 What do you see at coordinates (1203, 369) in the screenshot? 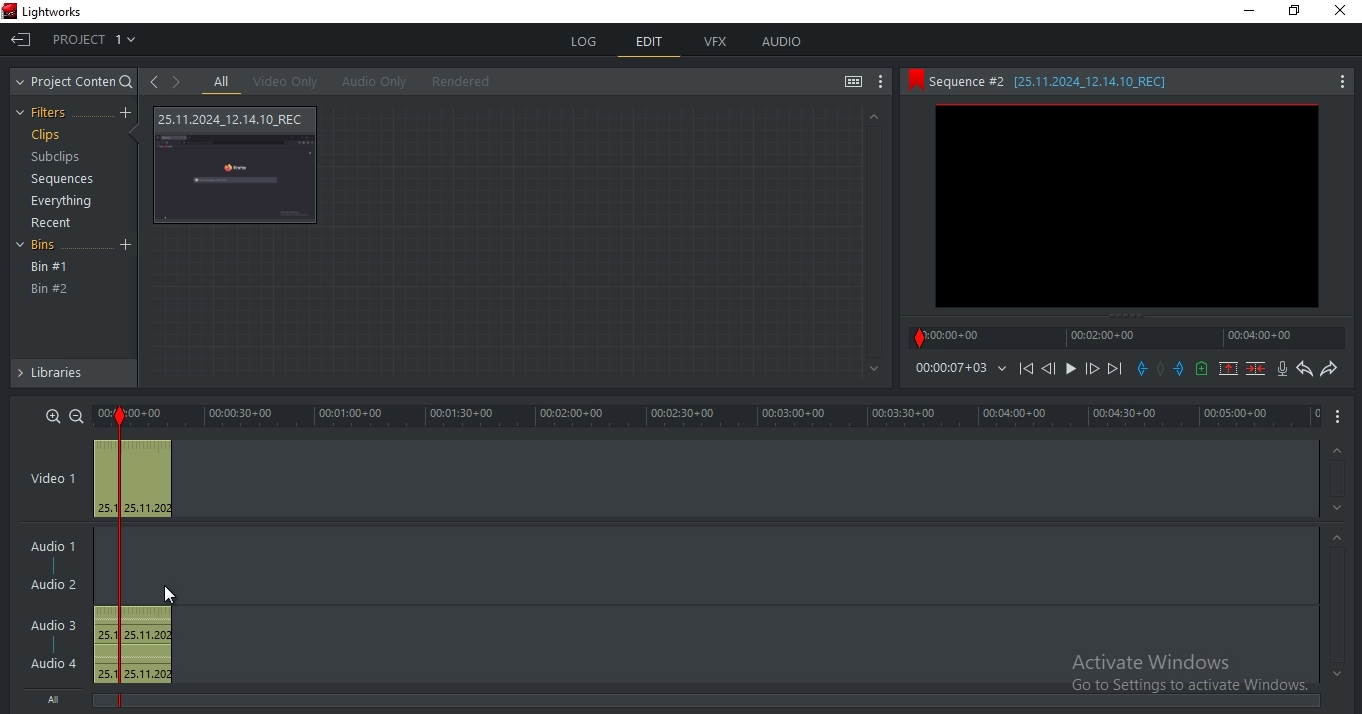
I see `add a cue` at bounding box center [1203, 369].